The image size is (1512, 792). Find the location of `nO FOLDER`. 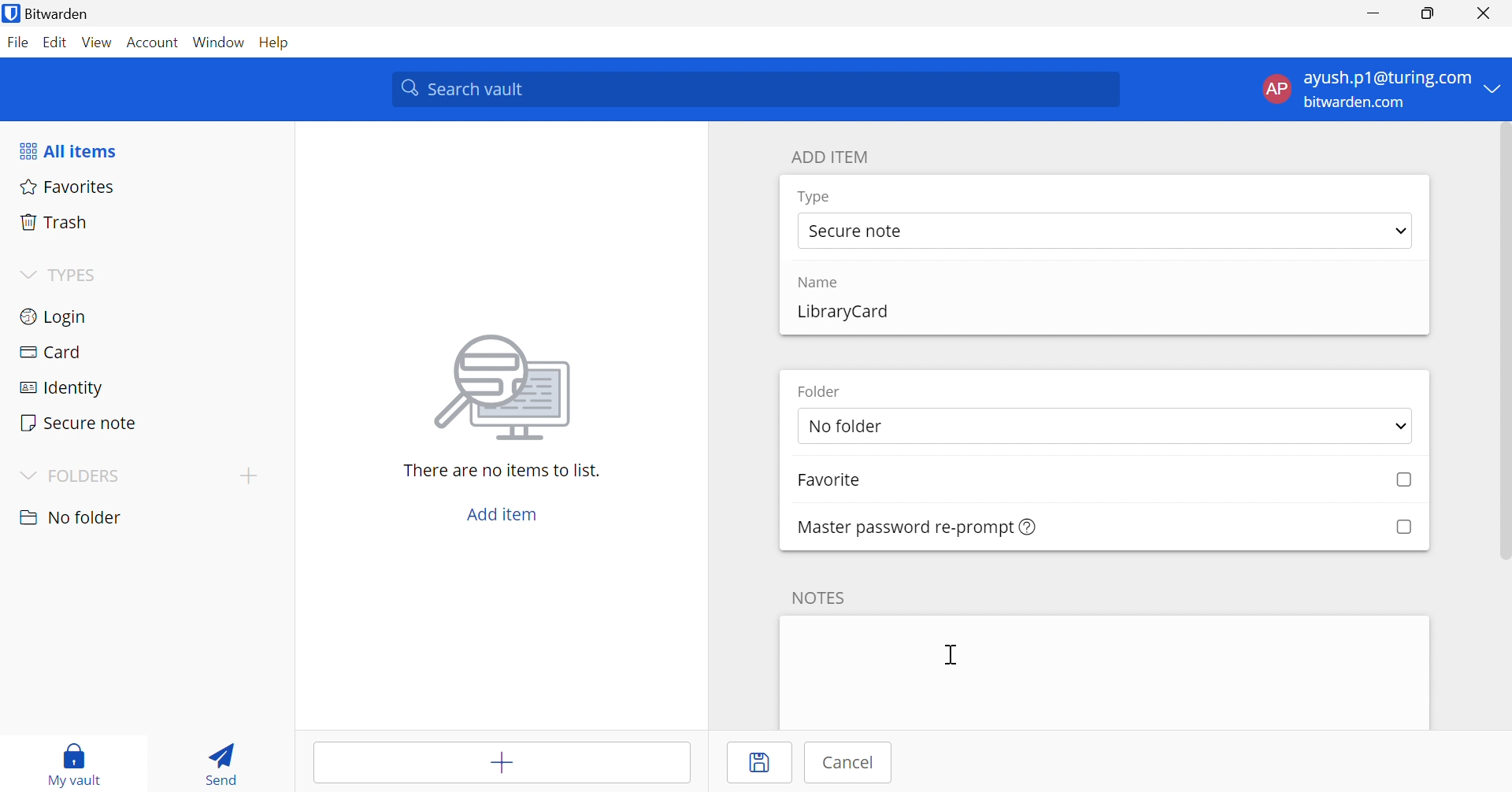

nO FOLDER is located at coordinates (74, 517).